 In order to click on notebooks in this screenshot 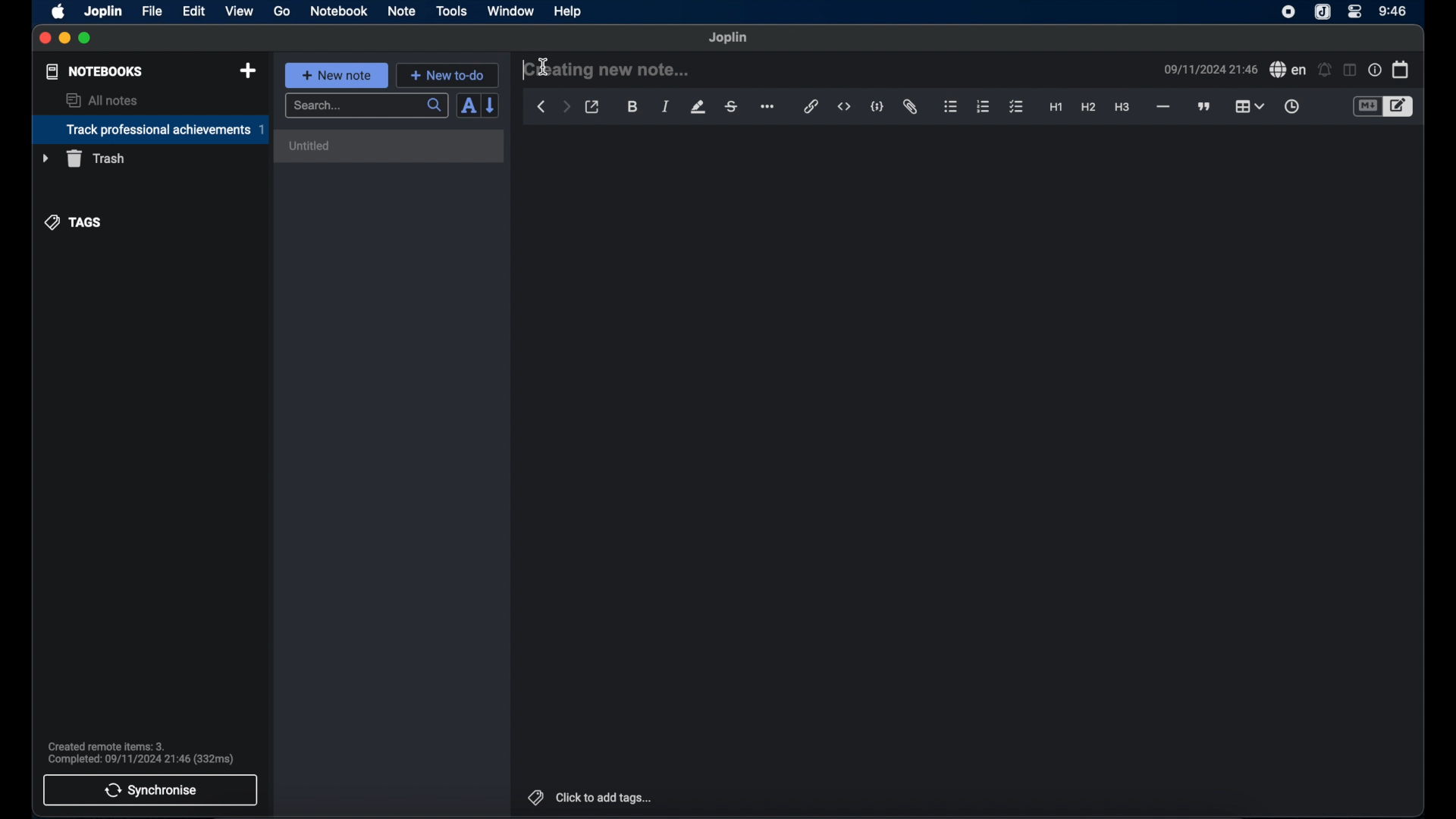, I will do `click(93, 71)`.